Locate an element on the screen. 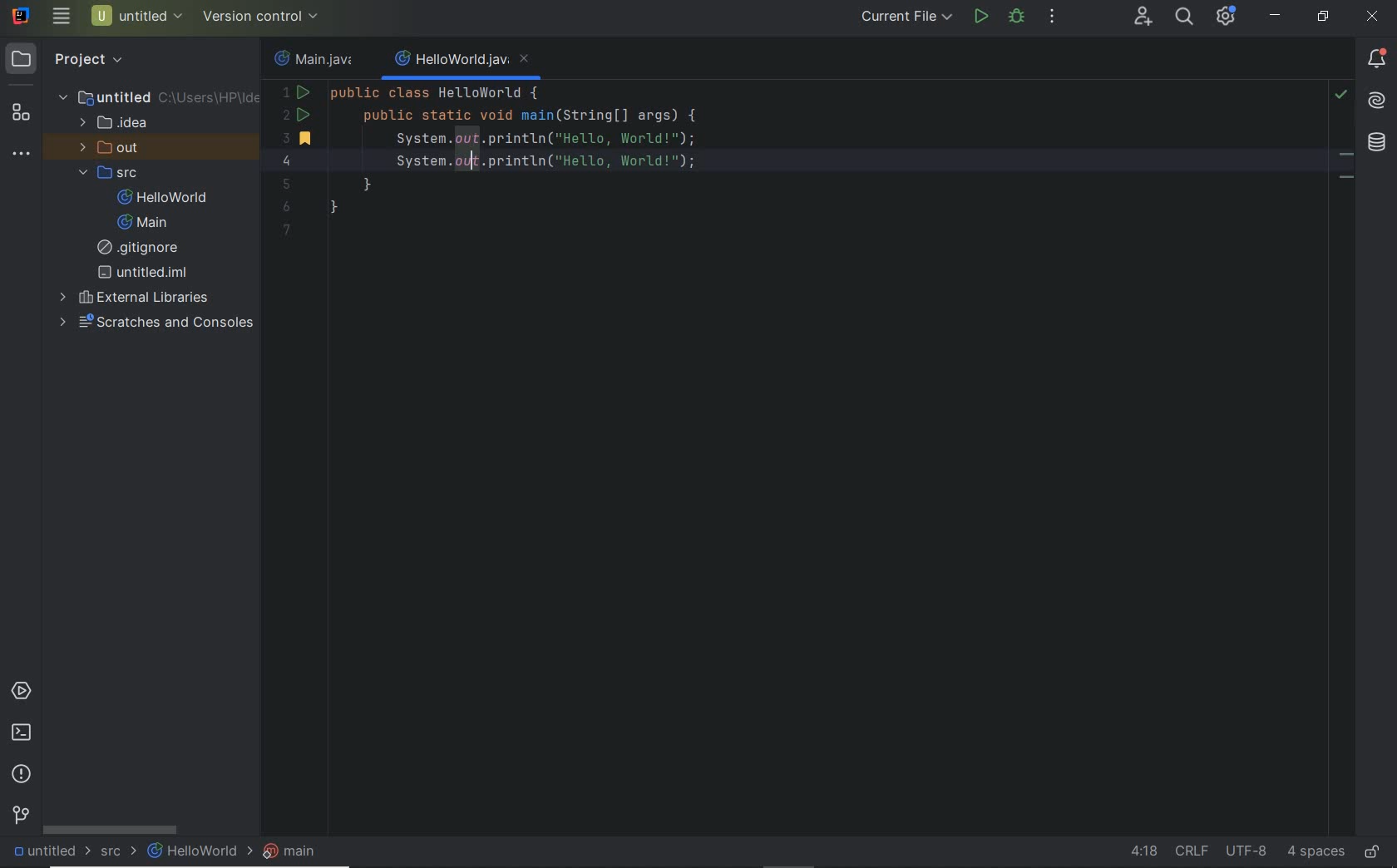 The image size is (1397, 868). minimize is located at coordinates (1276, 16).